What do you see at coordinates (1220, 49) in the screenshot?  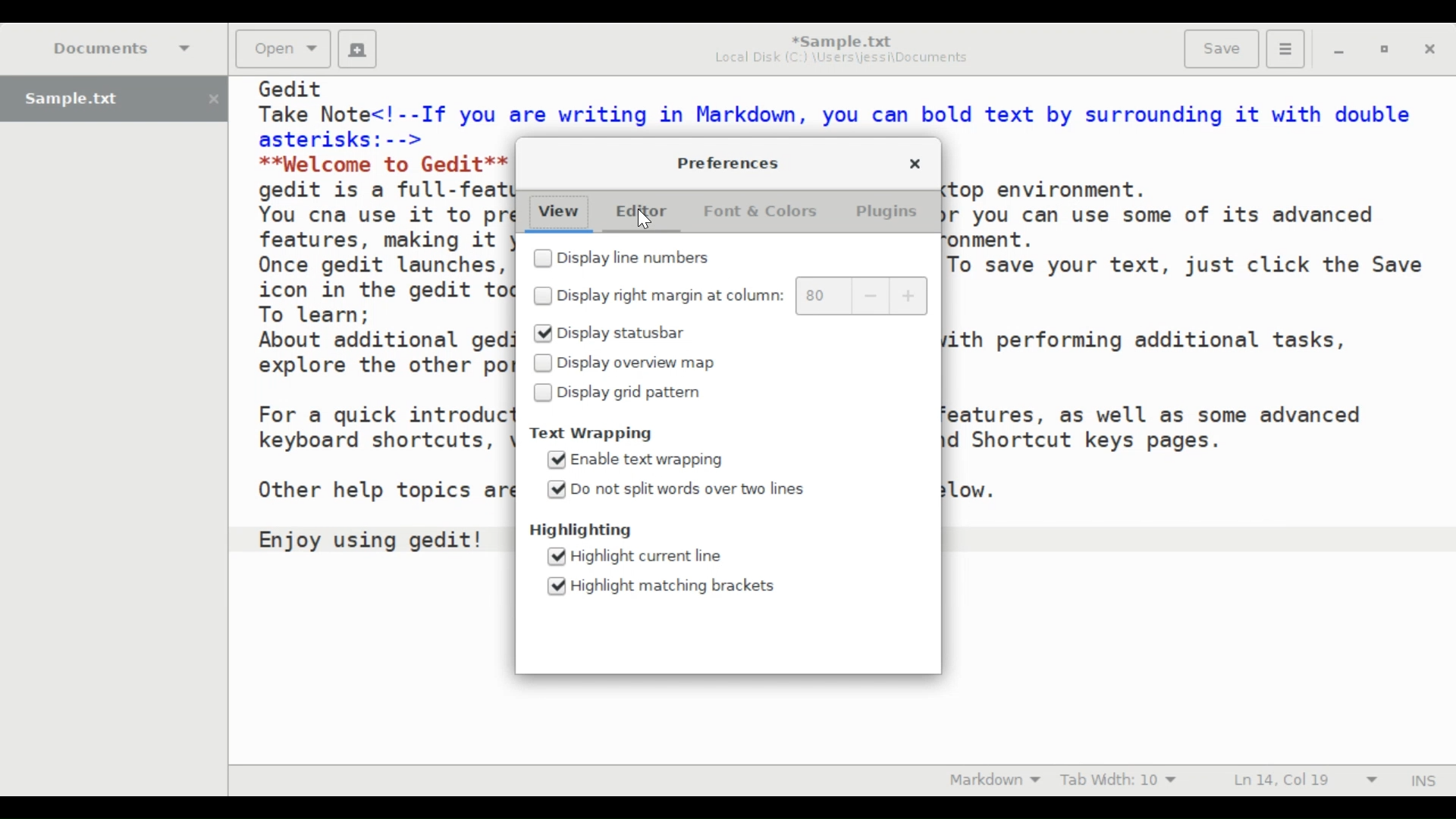 I see `Save` at bounding box center [1220, 49].